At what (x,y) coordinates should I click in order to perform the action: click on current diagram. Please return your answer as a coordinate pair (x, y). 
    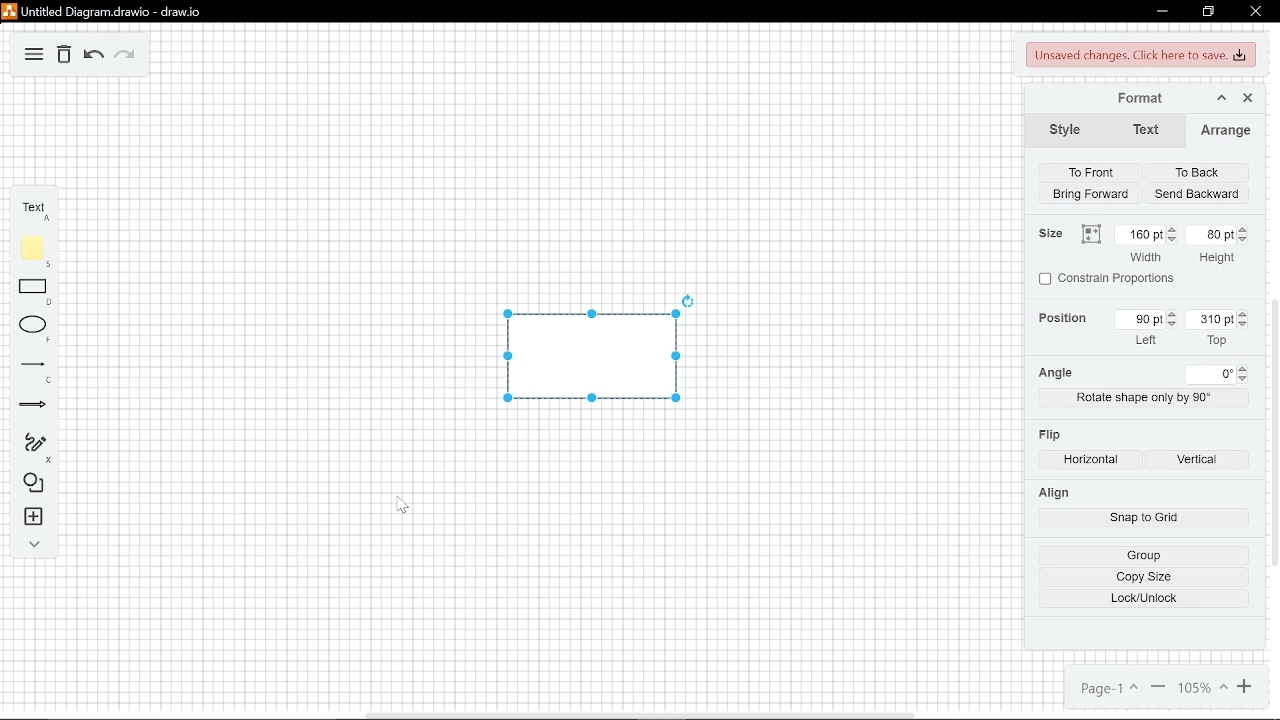
    Looking at the image, I should click on (589, 356).